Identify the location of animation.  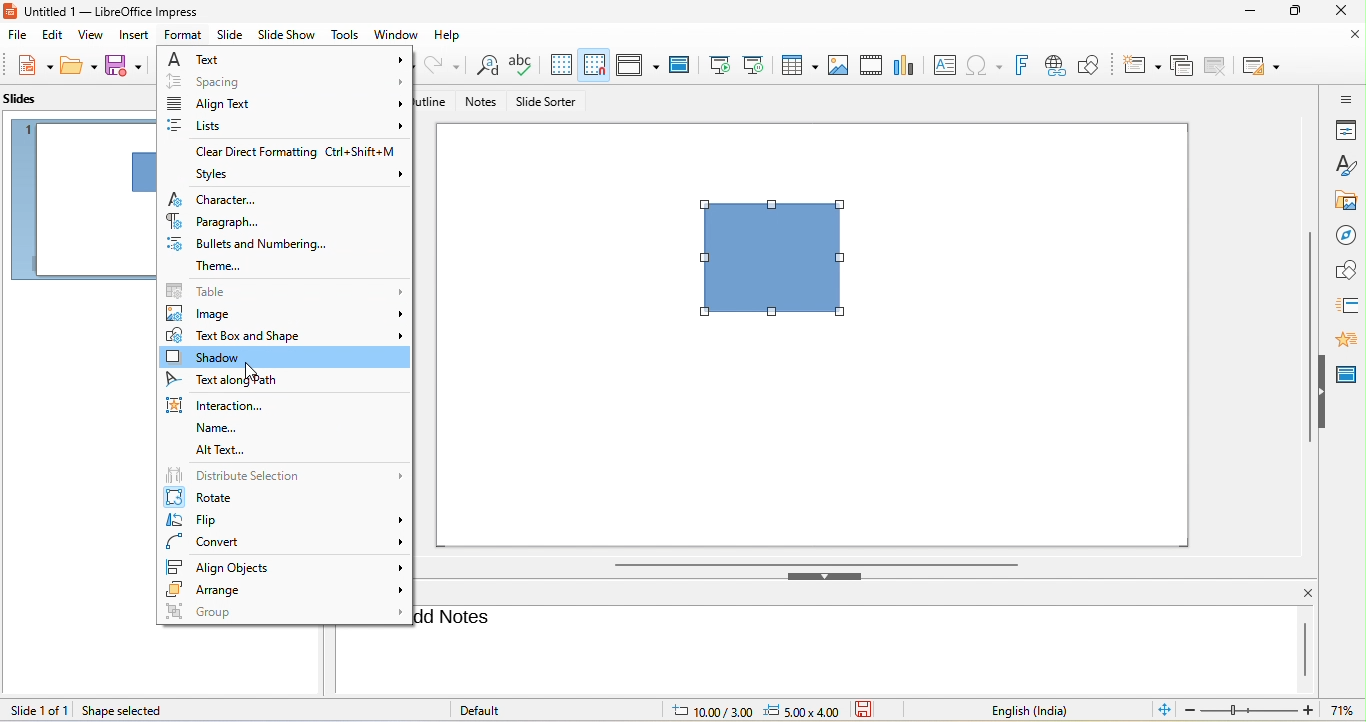
(1351, 338).